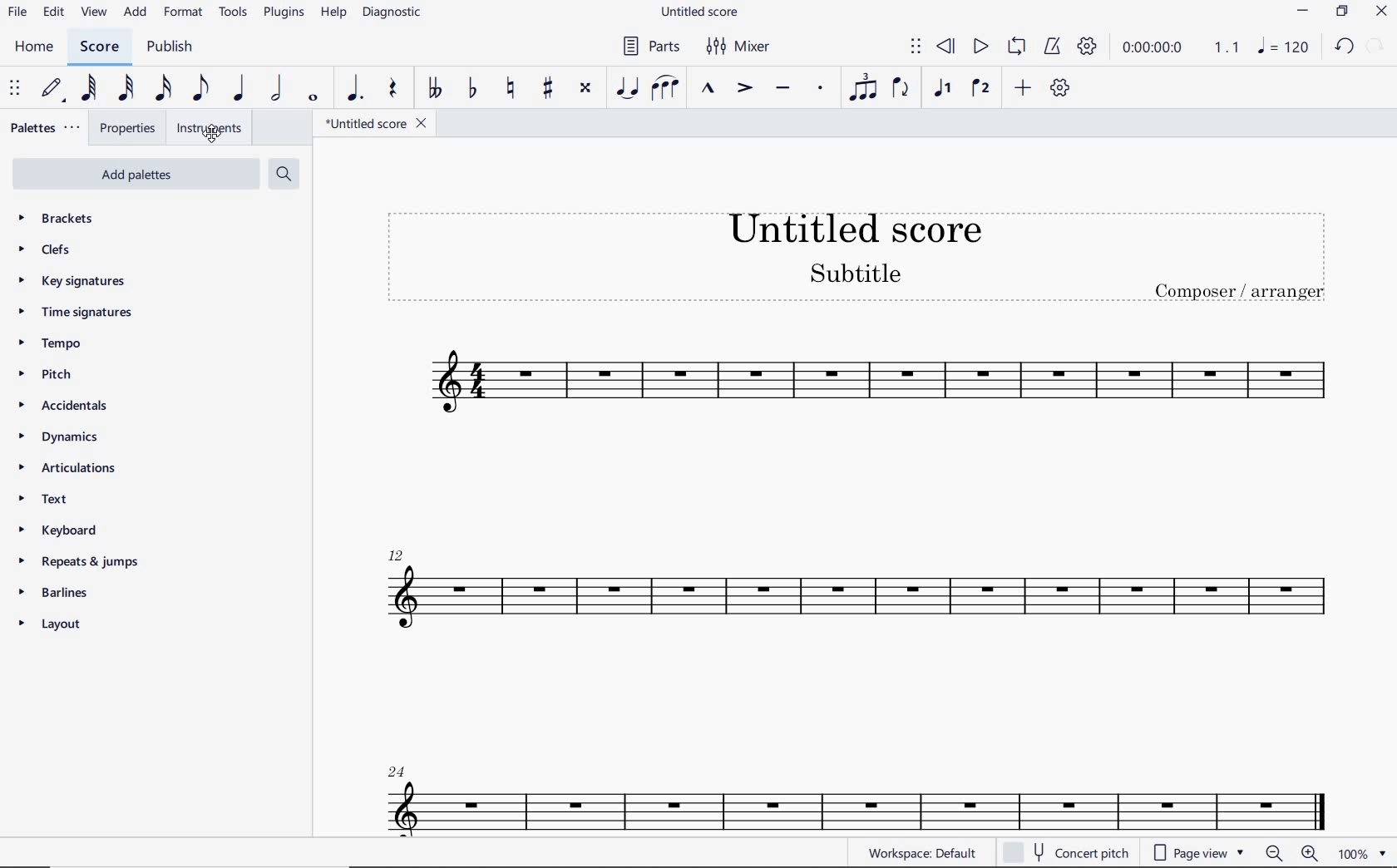  What do you see at coordinates (164, 89) in the screenshot?
I see `16TH NOTE` at bounding box center [164, 89].